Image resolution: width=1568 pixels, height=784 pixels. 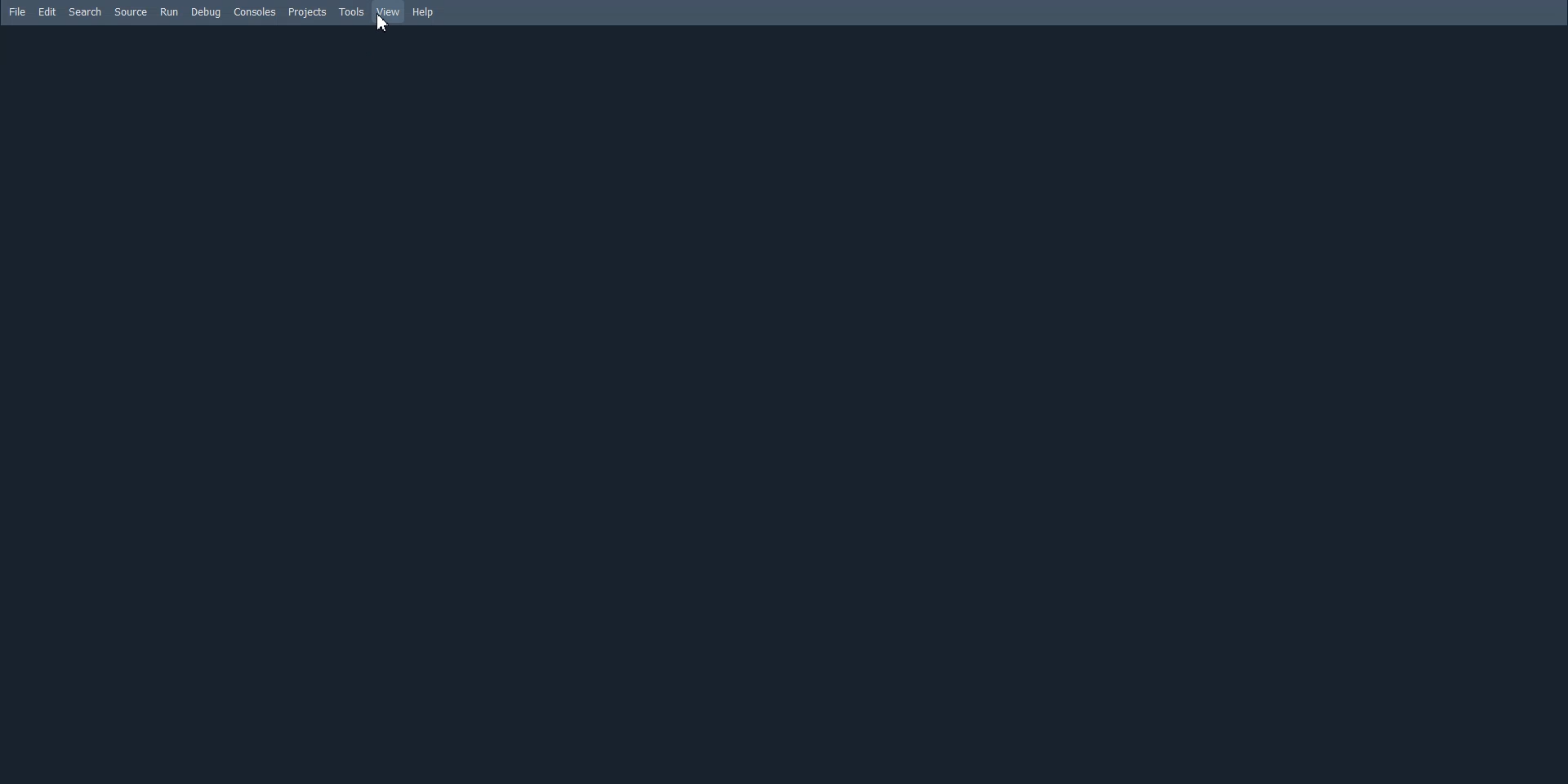 What do you see at coordinates (206, 12) in the screenshot?
I see `Debug` at bounding box center [206, 12].